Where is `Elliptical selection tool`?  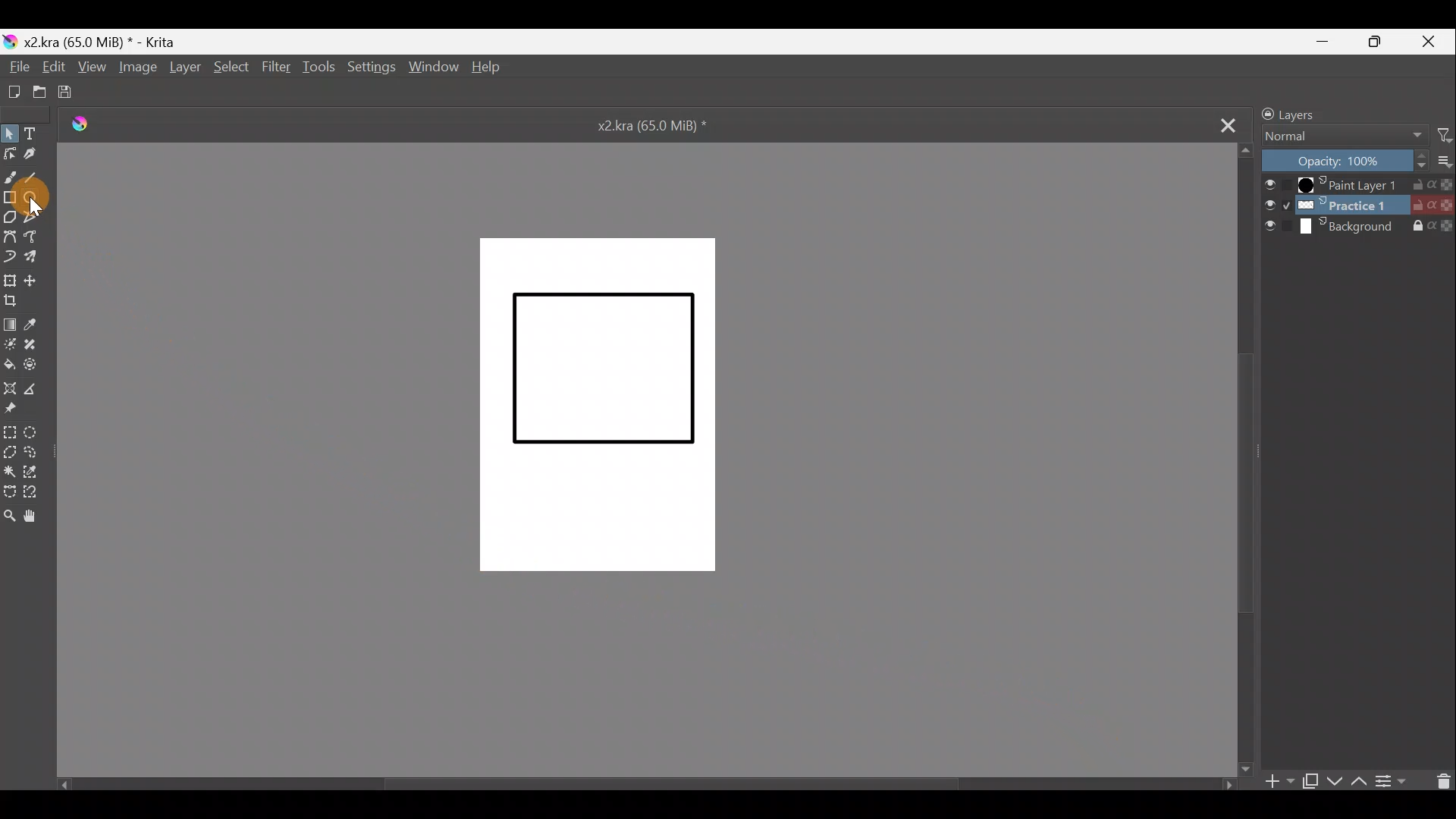 Elliptical selection tool is located at coordinates (34, 431).